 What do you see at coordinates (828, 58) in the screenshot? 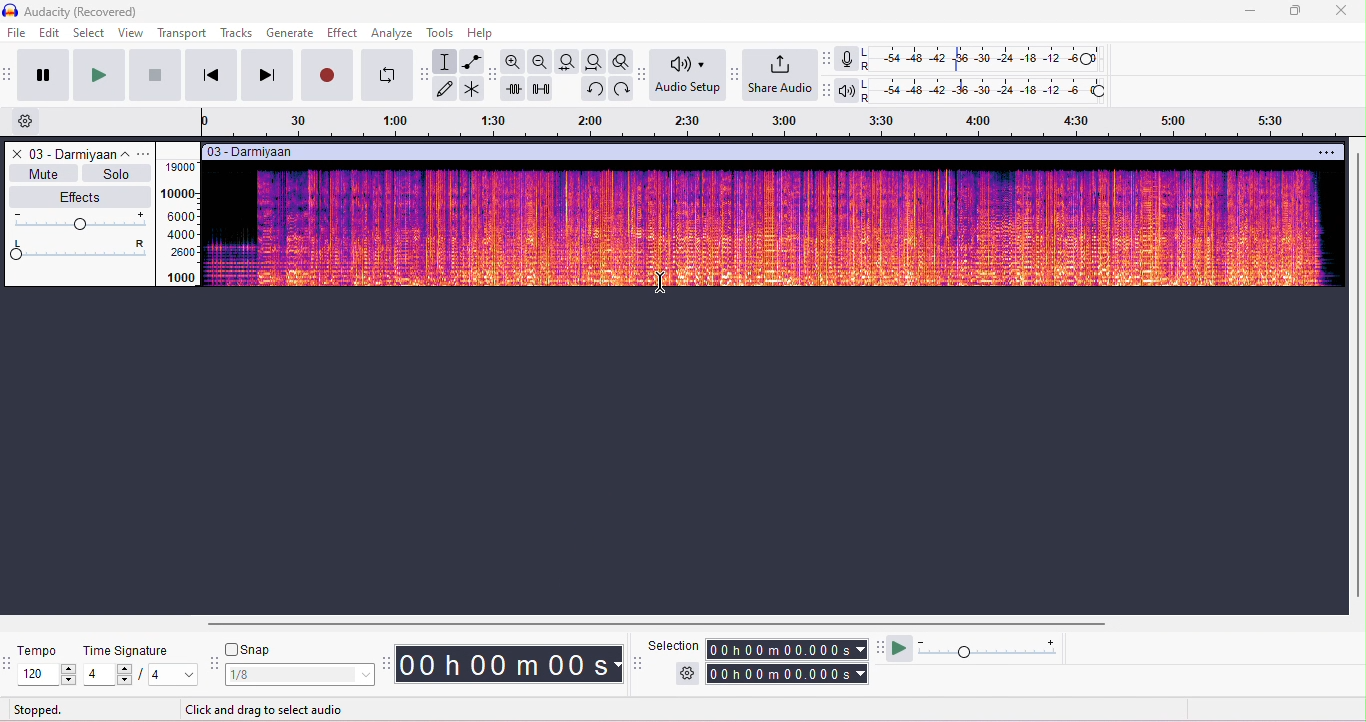
I see `recording meter tool bar` at bounding box center [828, 58].